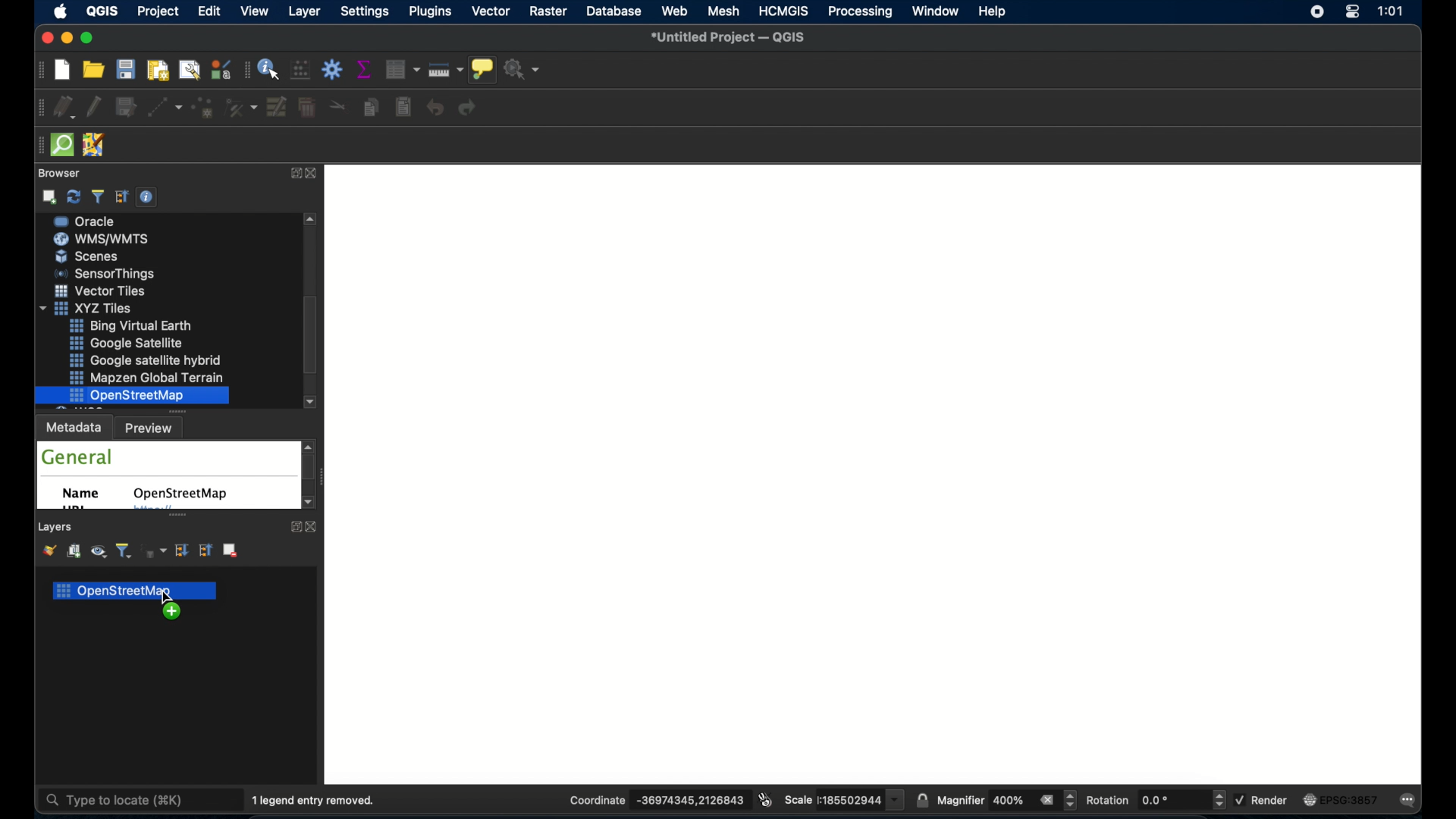 This screenshot has height=819, width=1456. Describe the element at coordinates (315, 527) in the screenshot. I see `close` at that location.